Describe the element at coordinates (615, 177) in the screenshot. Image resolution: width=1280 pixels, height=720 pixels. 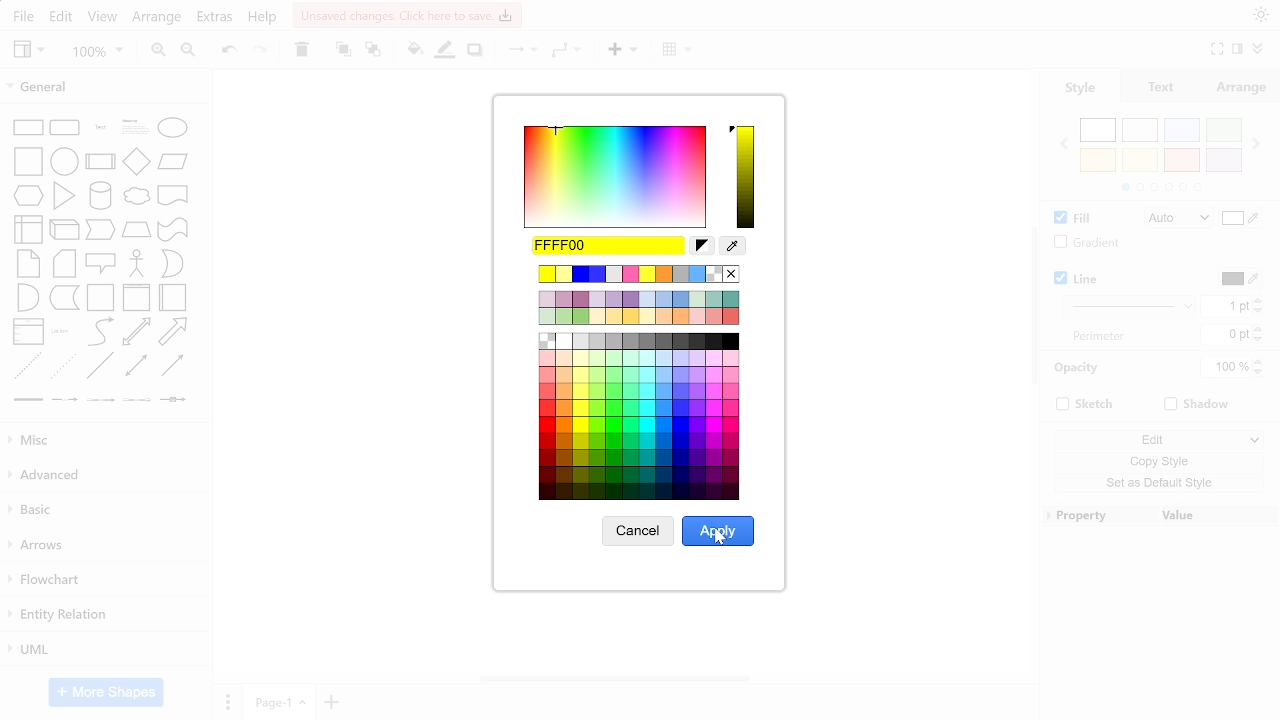
I see `color spectrum` at that location.